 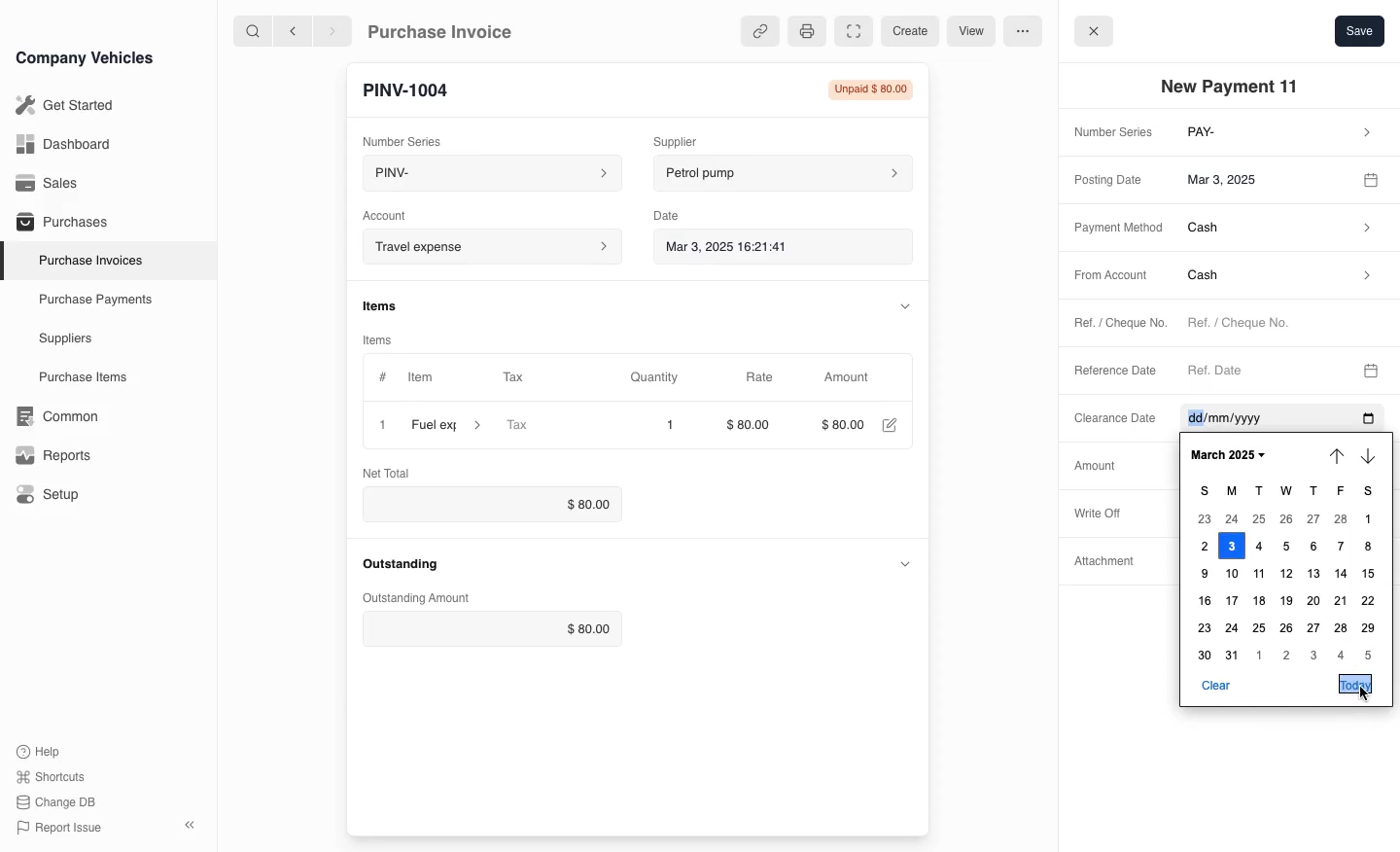 What do you see at coordinates (1264, 369) in the screenshot?
I see `ref date` at bounding box center [1264, 369].